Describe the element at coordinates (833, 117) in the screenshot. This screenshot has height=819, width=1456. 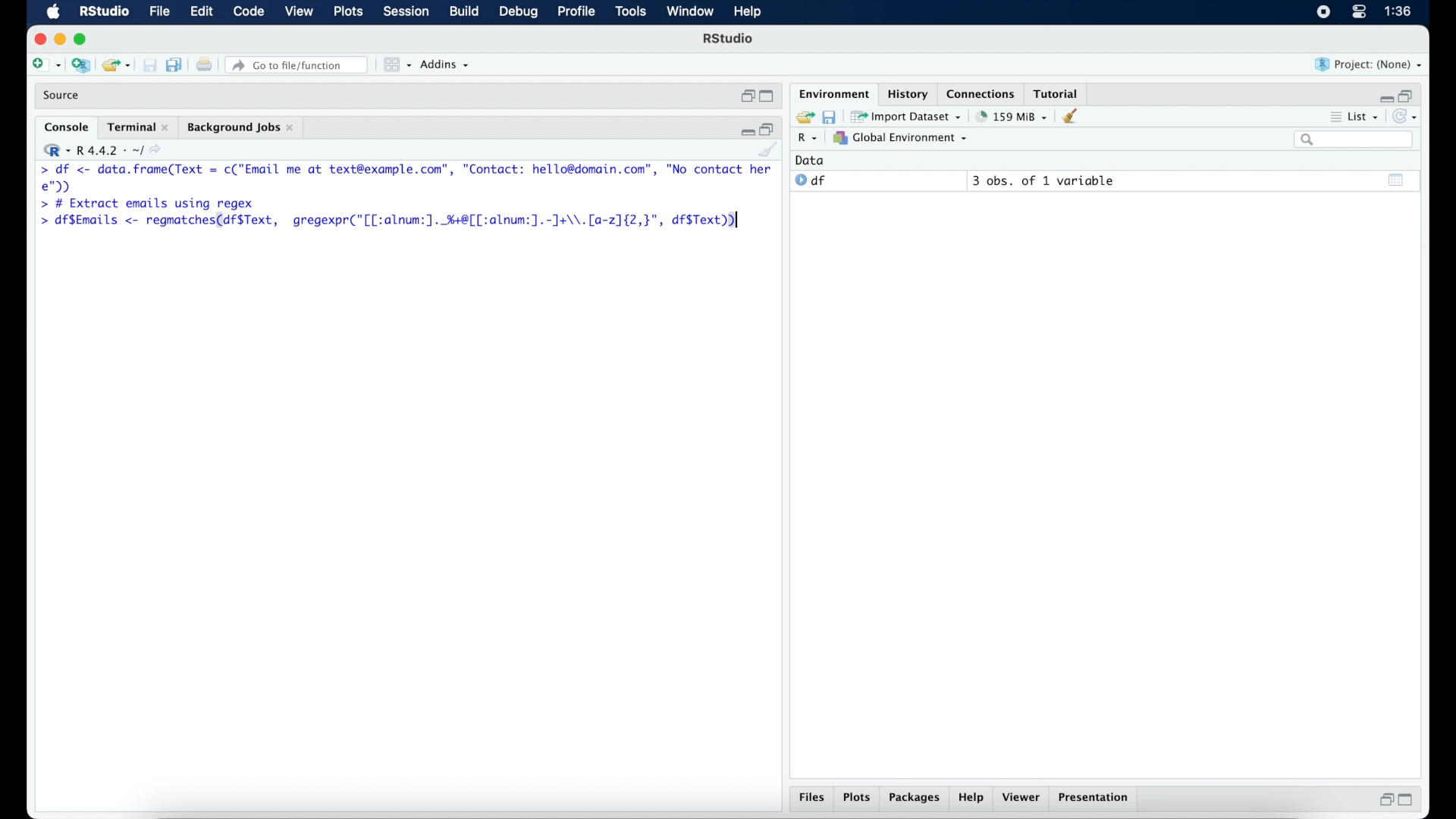
I see `save` at that location.